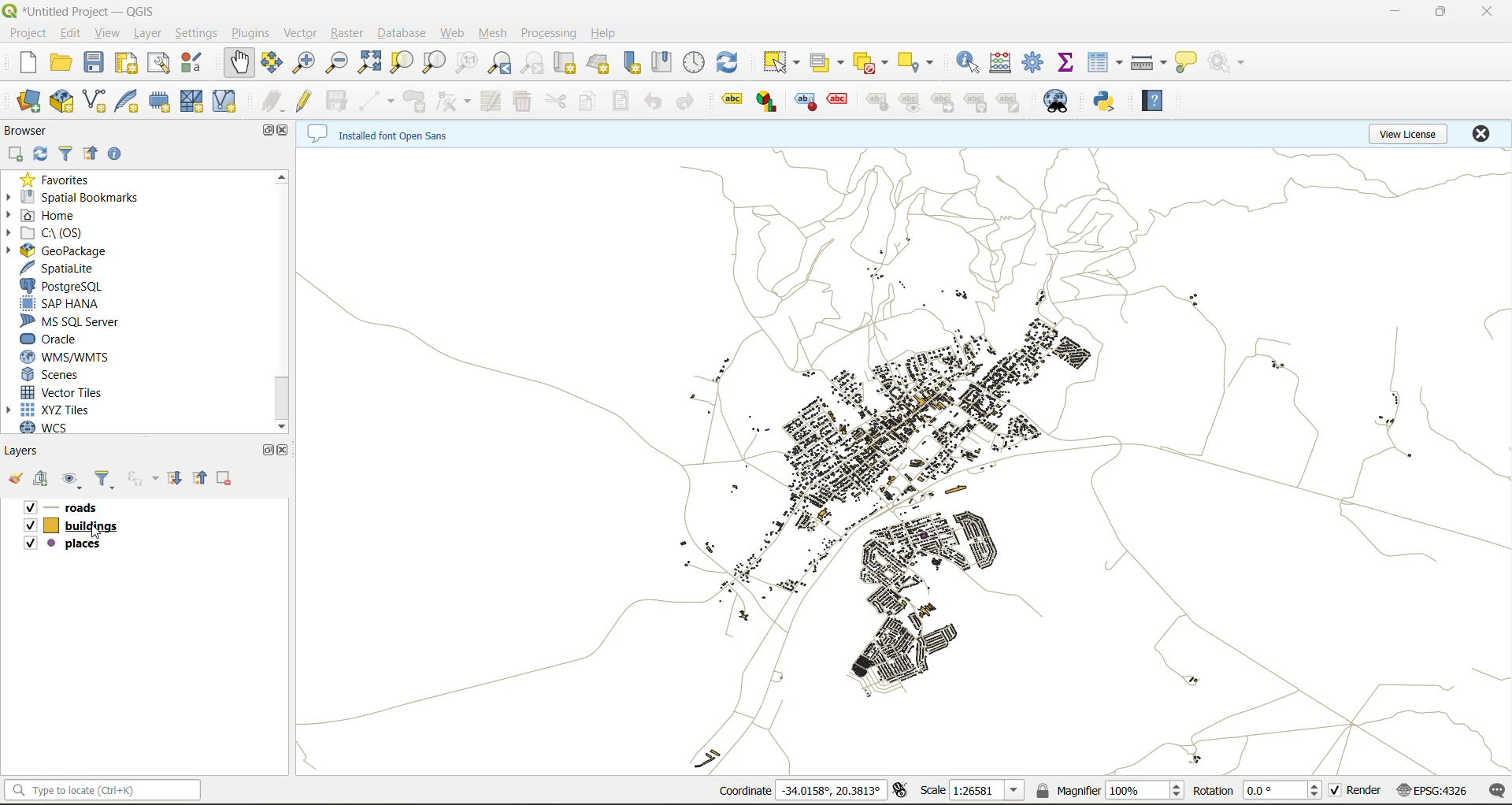 The height and width of the screenshot is (805, 1512). Describe the element at coordinates (239, 63) in the screenshot. I see `pan map` at that location.